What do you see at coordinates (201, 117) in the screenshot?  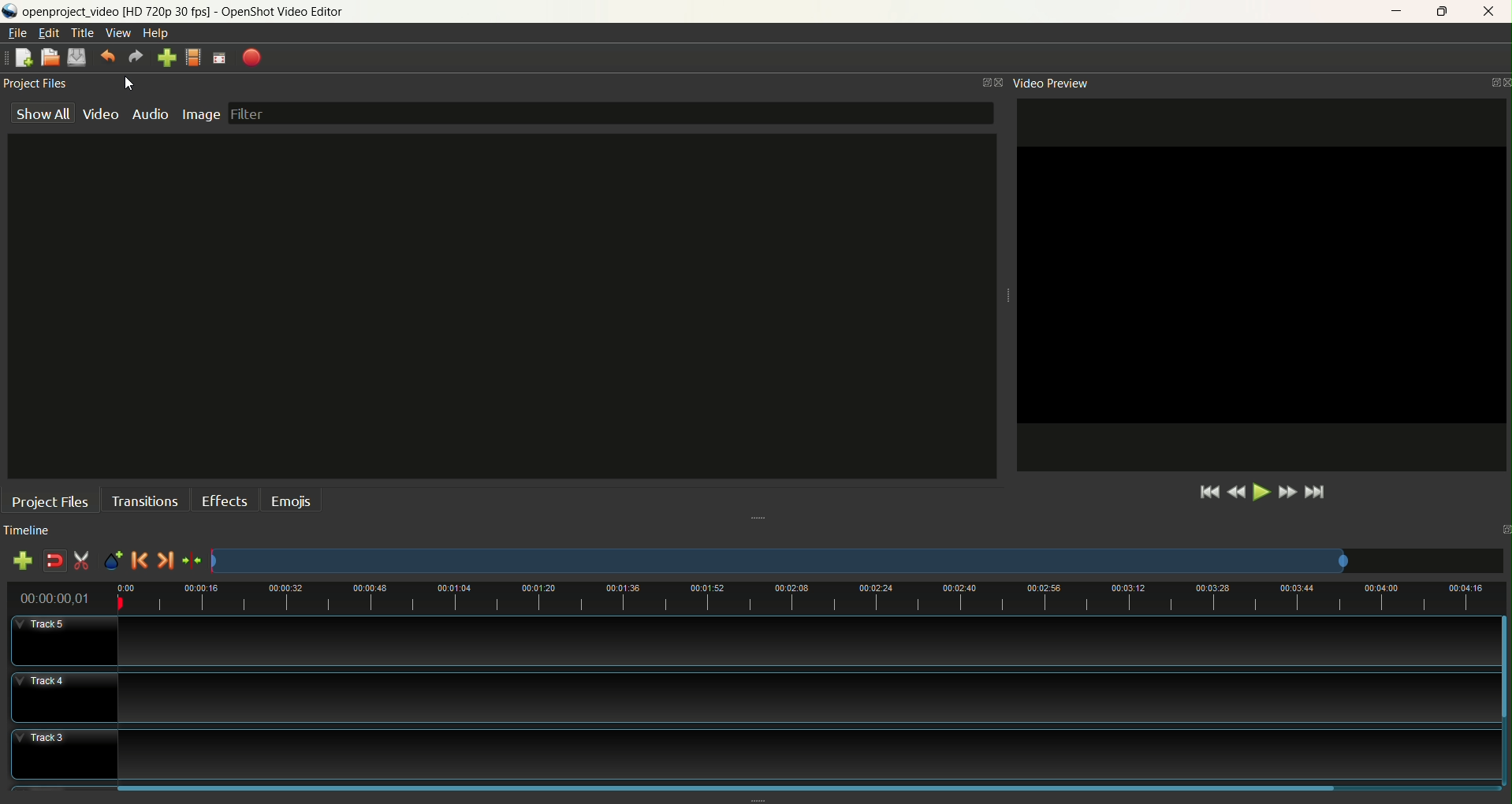 I see `image` at bounding box center [201, 117].